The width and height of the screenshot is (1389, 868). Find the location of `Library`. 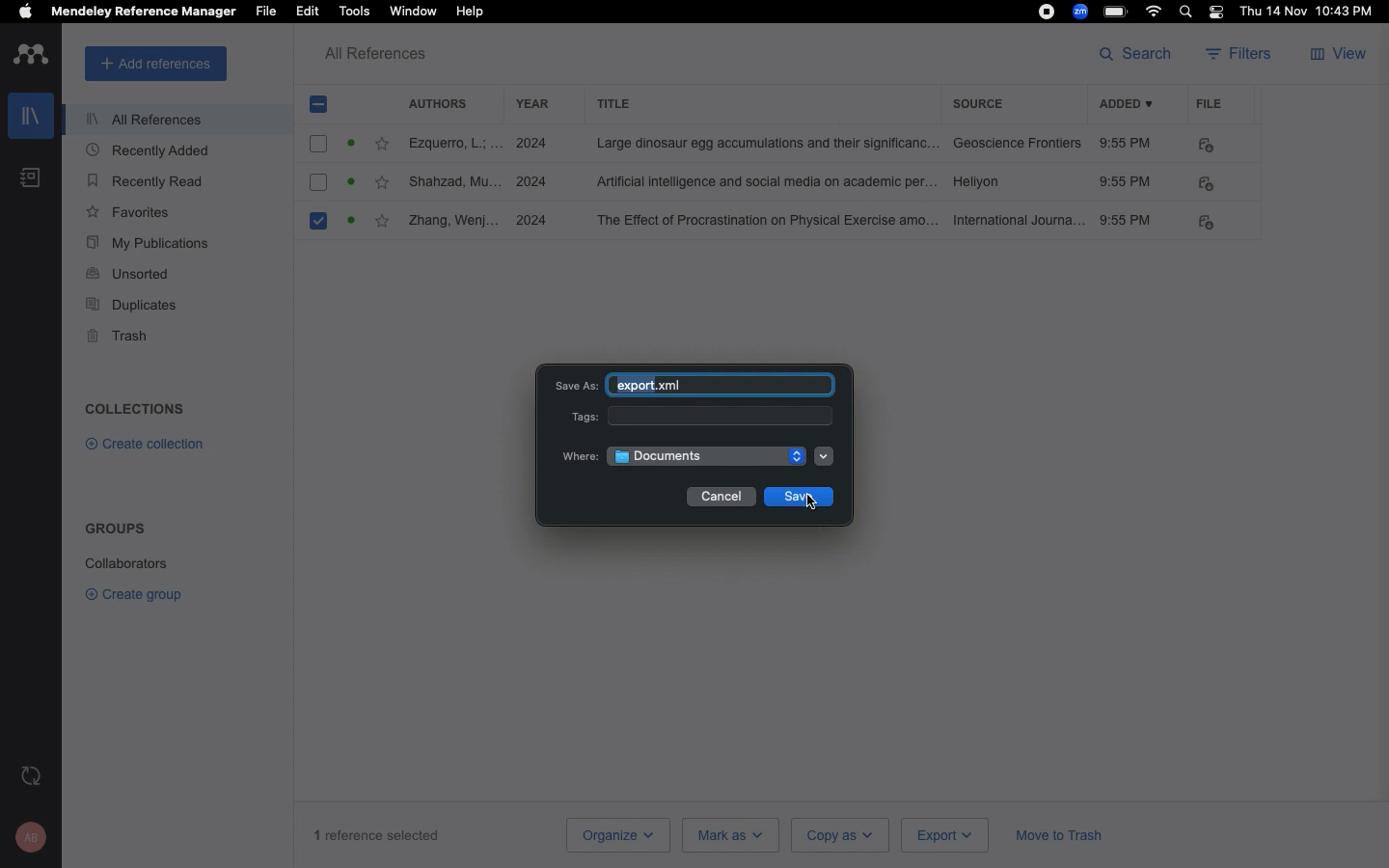

Library is located at coordinates (32, 111).